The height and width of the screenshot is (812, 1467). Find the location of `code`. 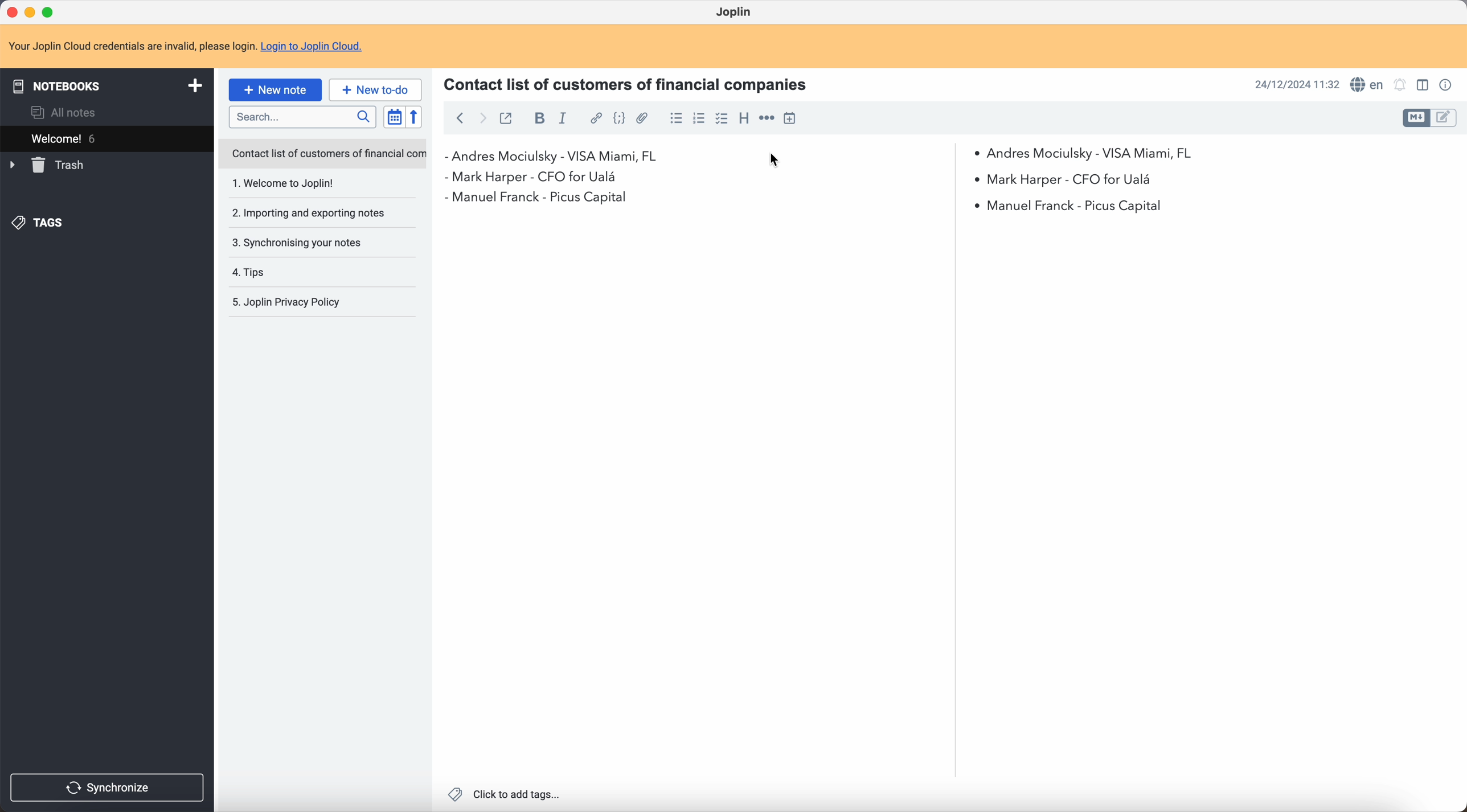

code is located at coordinates (619, 119).